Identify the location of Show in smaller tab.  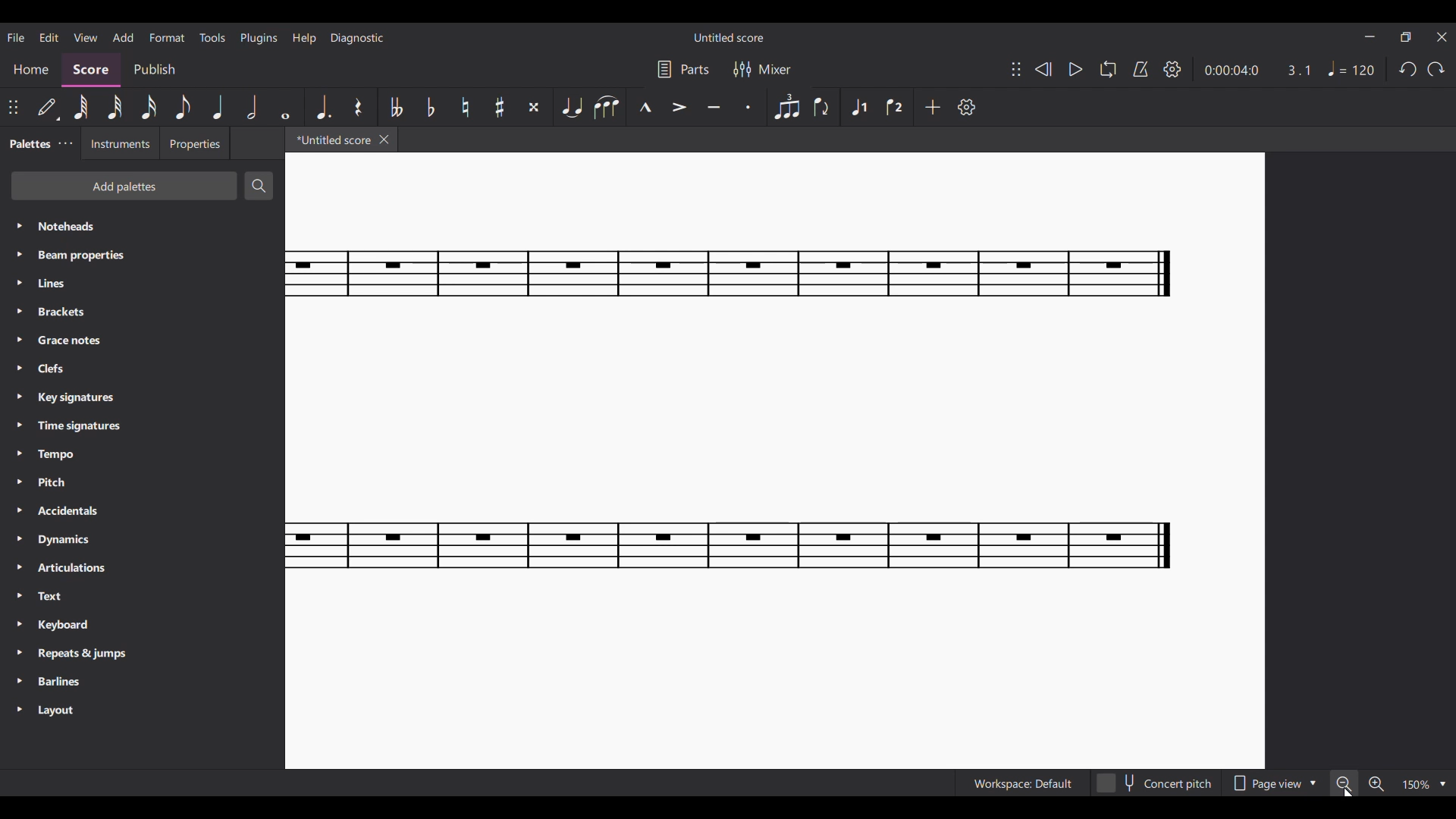
(1406, 37).